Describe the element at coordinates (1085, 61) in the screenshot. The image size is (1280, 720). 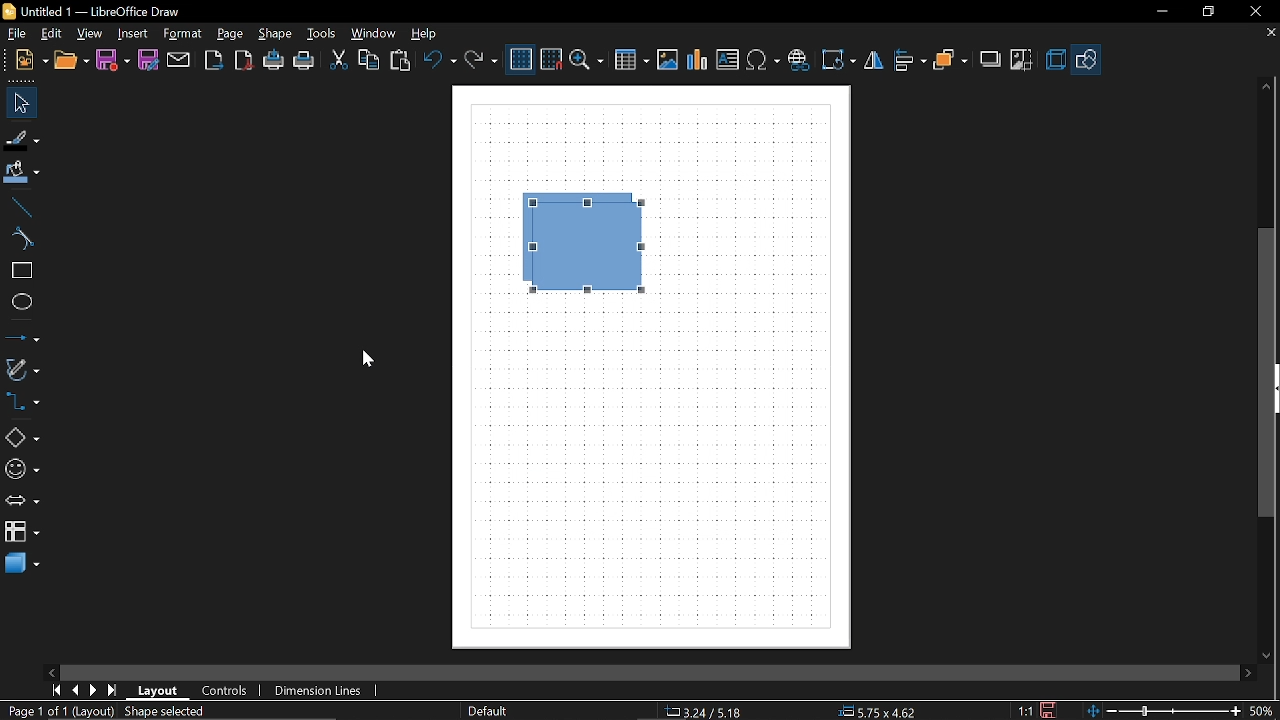
I see `Basic shapes` at that location.